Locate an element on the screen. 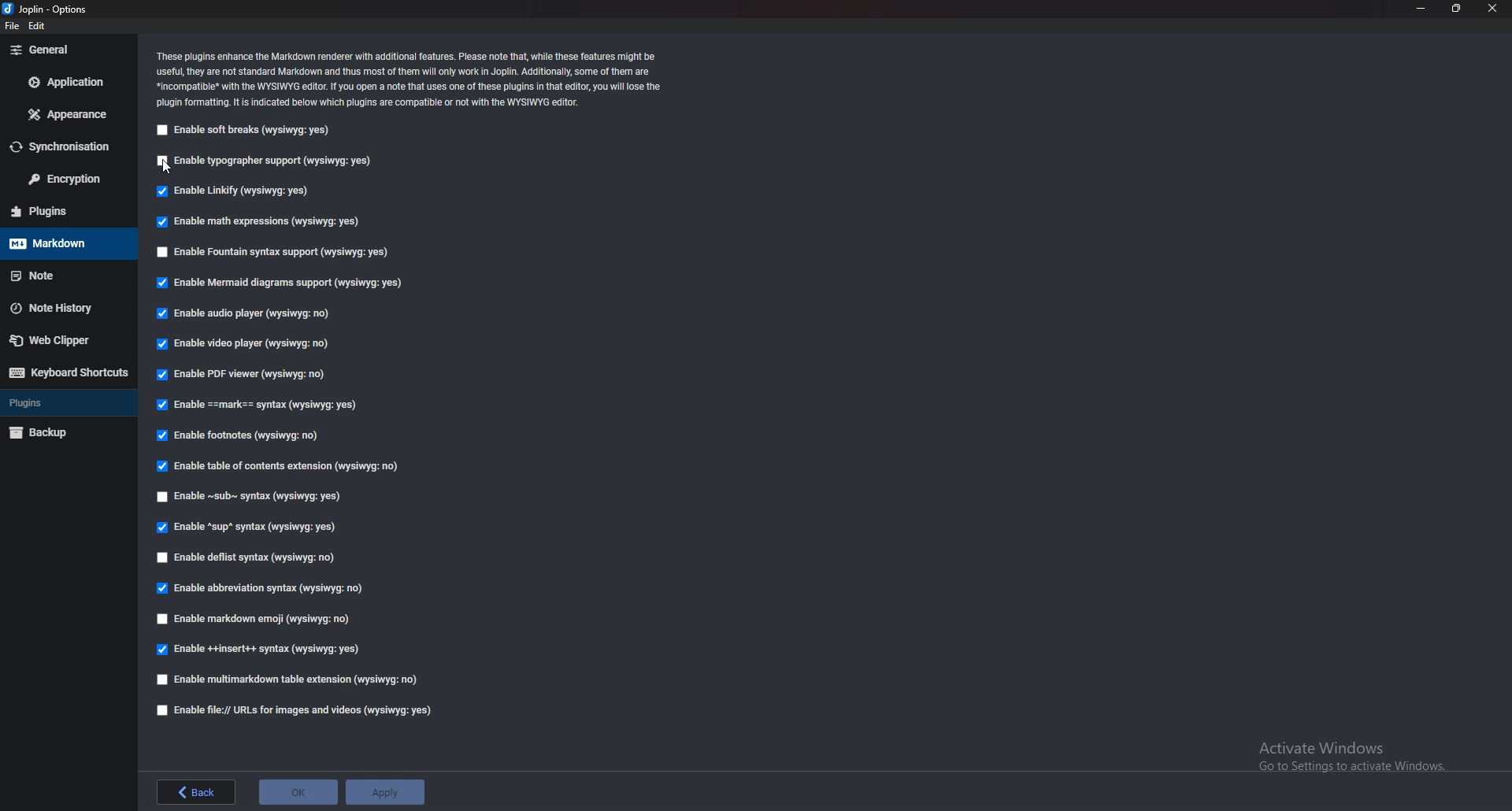 The height and width of the screenshot is (811, 1512). plugins is located at coordinates (67, 211).